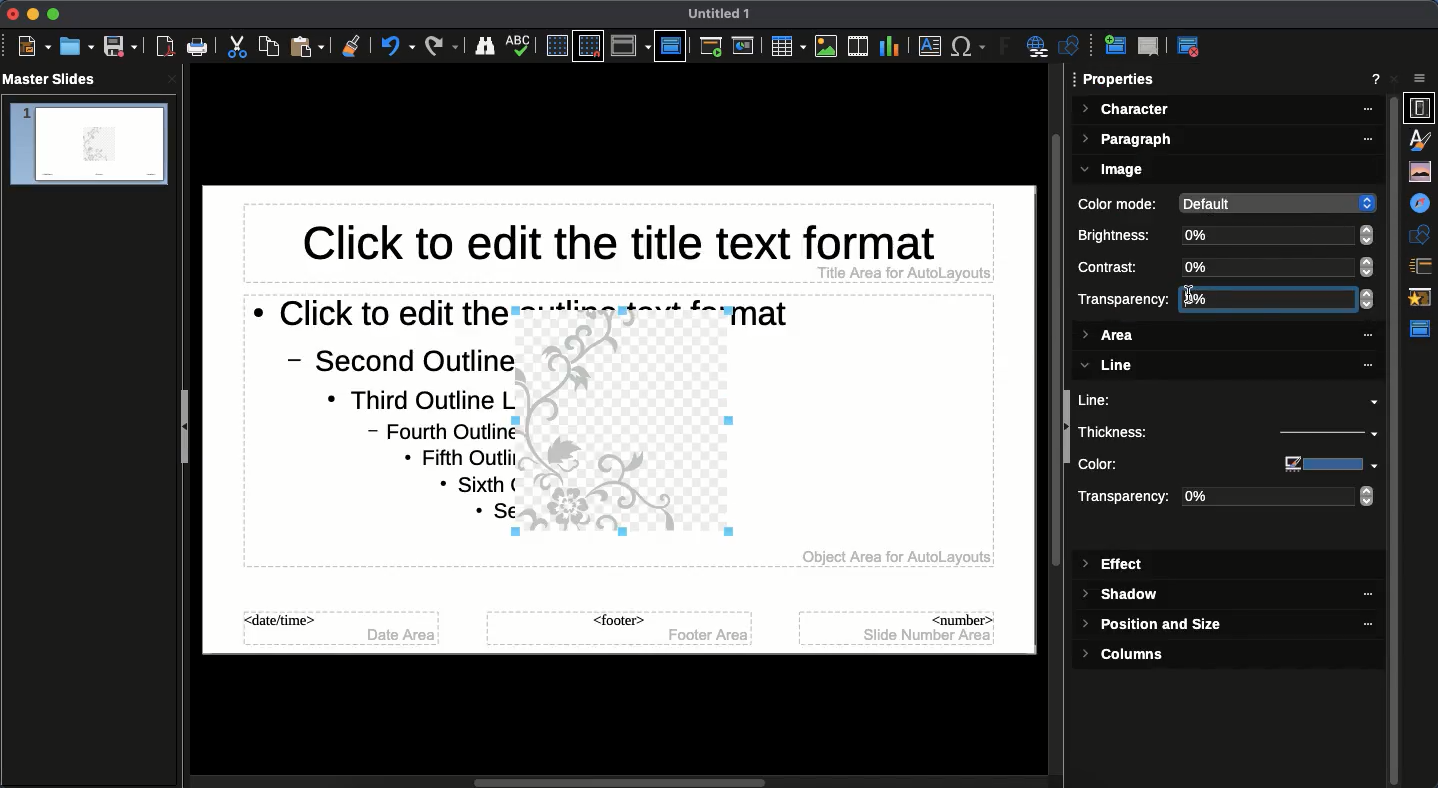 The height and width of the screenshot is (788, 1438). I want to click on Animation, so click(1422, 299).